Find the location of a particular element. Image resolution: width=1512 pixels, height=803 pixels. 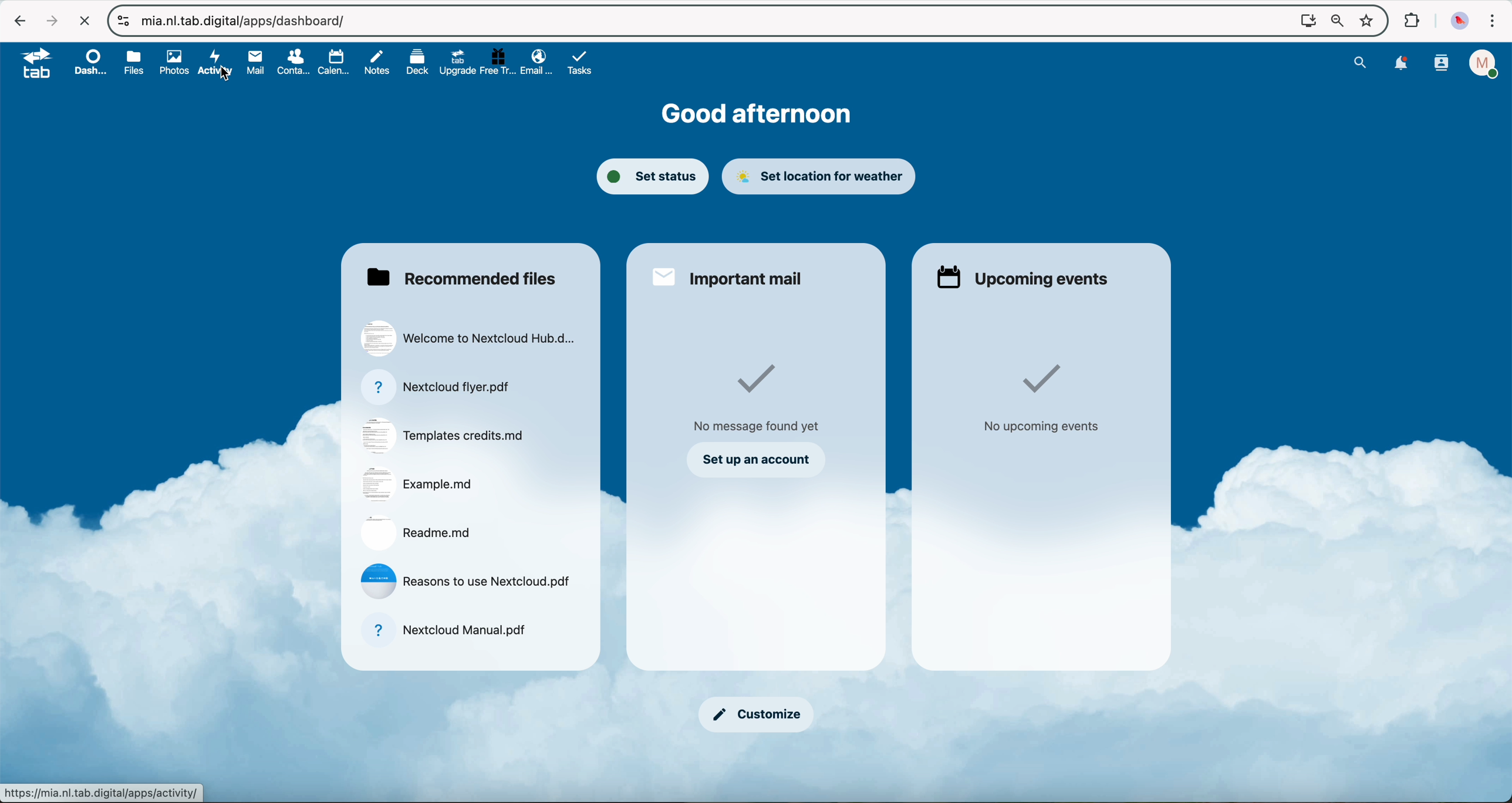

mail is located at coordinates (253, 63).